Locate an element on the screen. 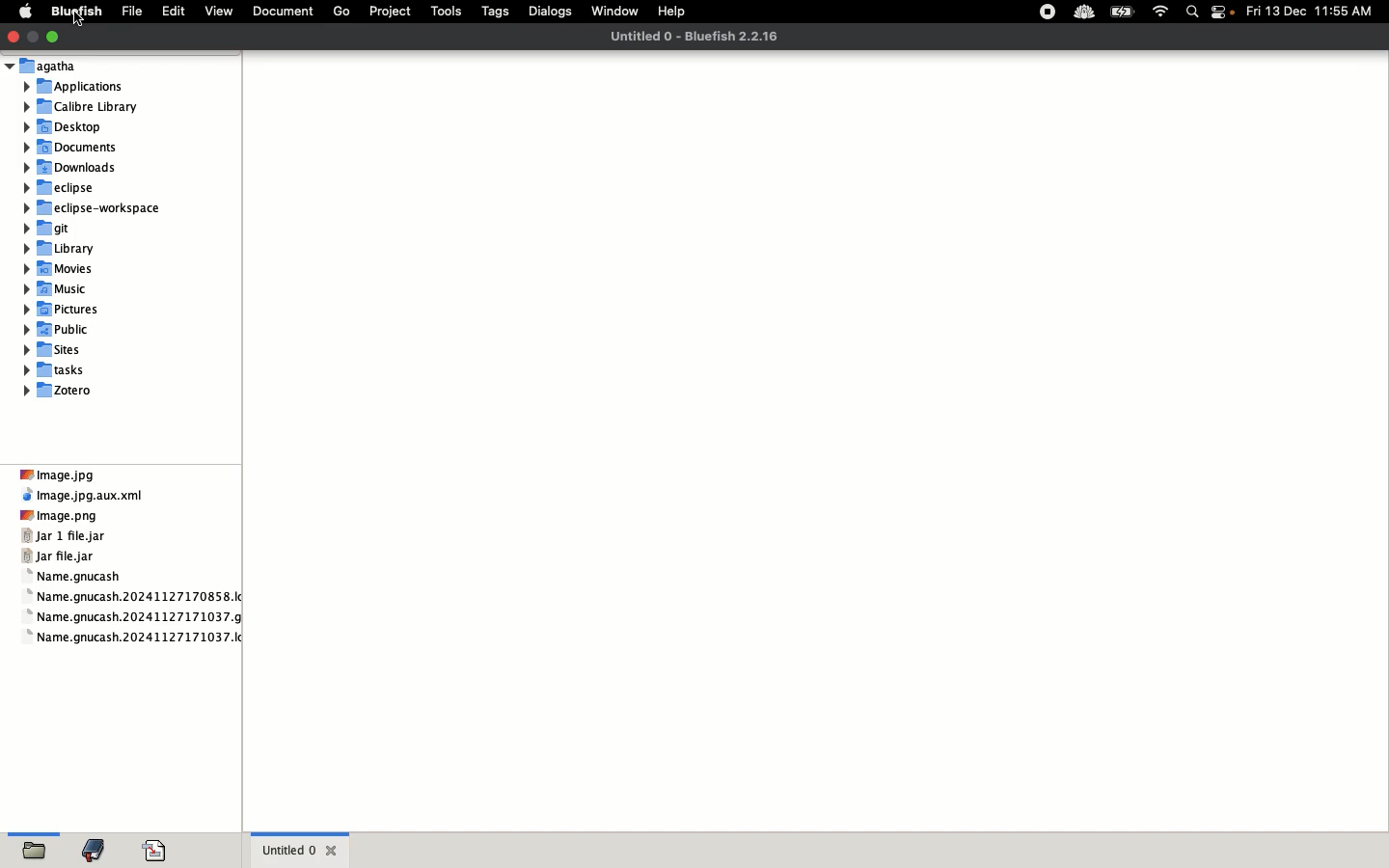  windows is located at coordinates (616, 10).